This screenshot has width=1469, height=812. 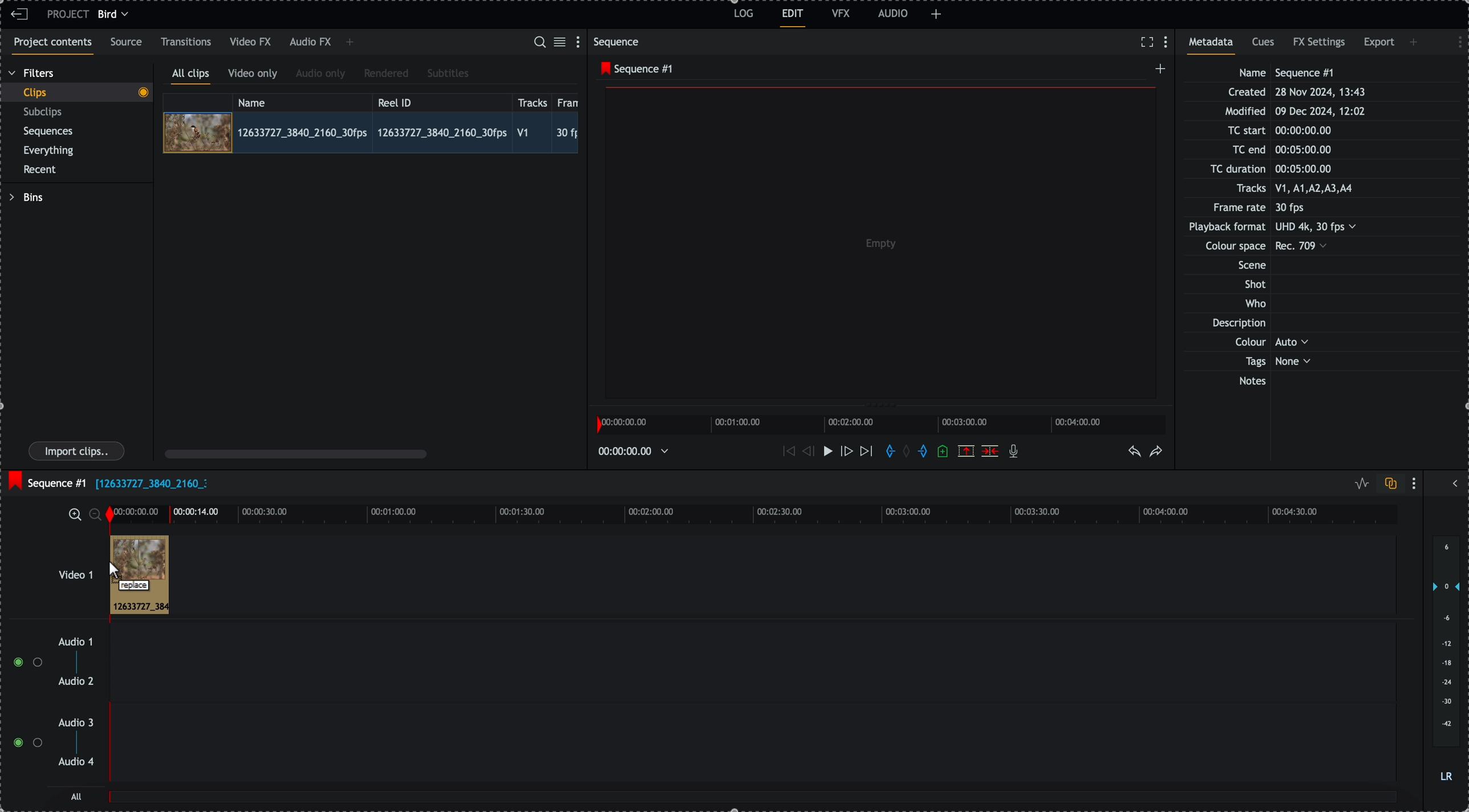 I want to click on filters, so click(x=33, y=74).